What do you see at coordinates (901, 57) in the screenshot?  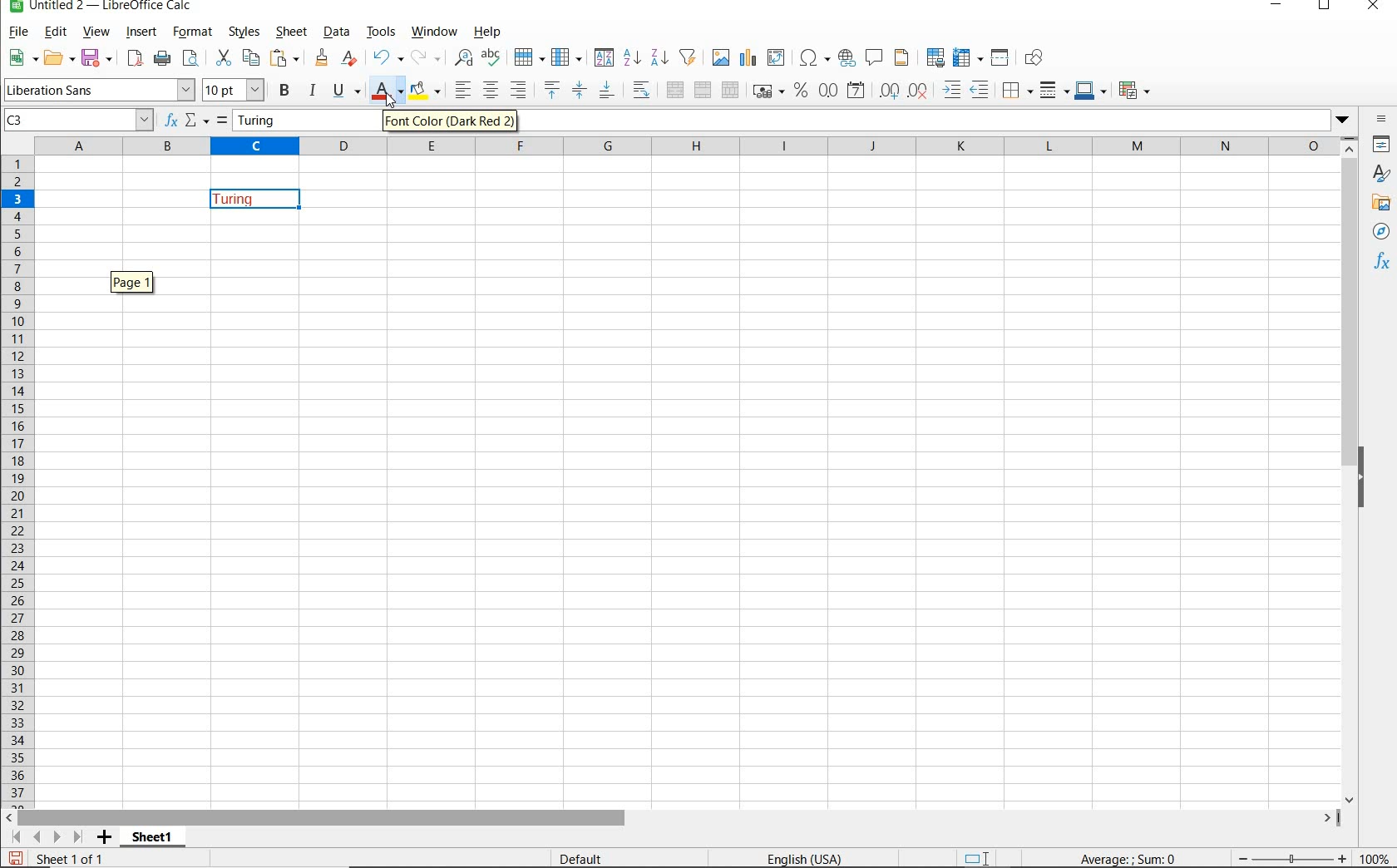 I see `HEADERS & FOOTERS` at bounding box center [901, 57].